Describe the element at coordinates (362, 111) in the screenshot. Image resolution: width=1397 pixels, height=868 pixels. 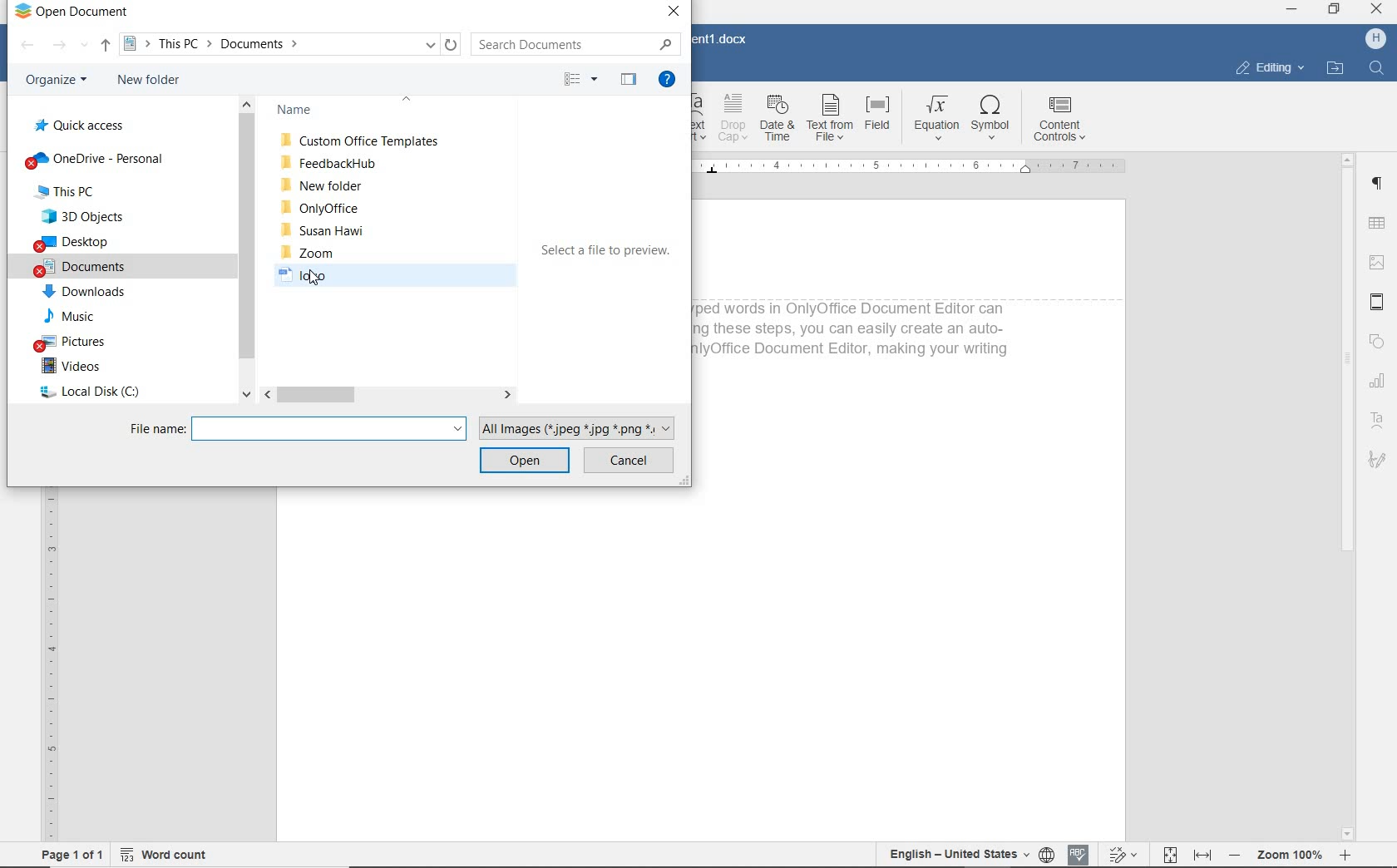
I see `FOLDER NAMES` at that location.